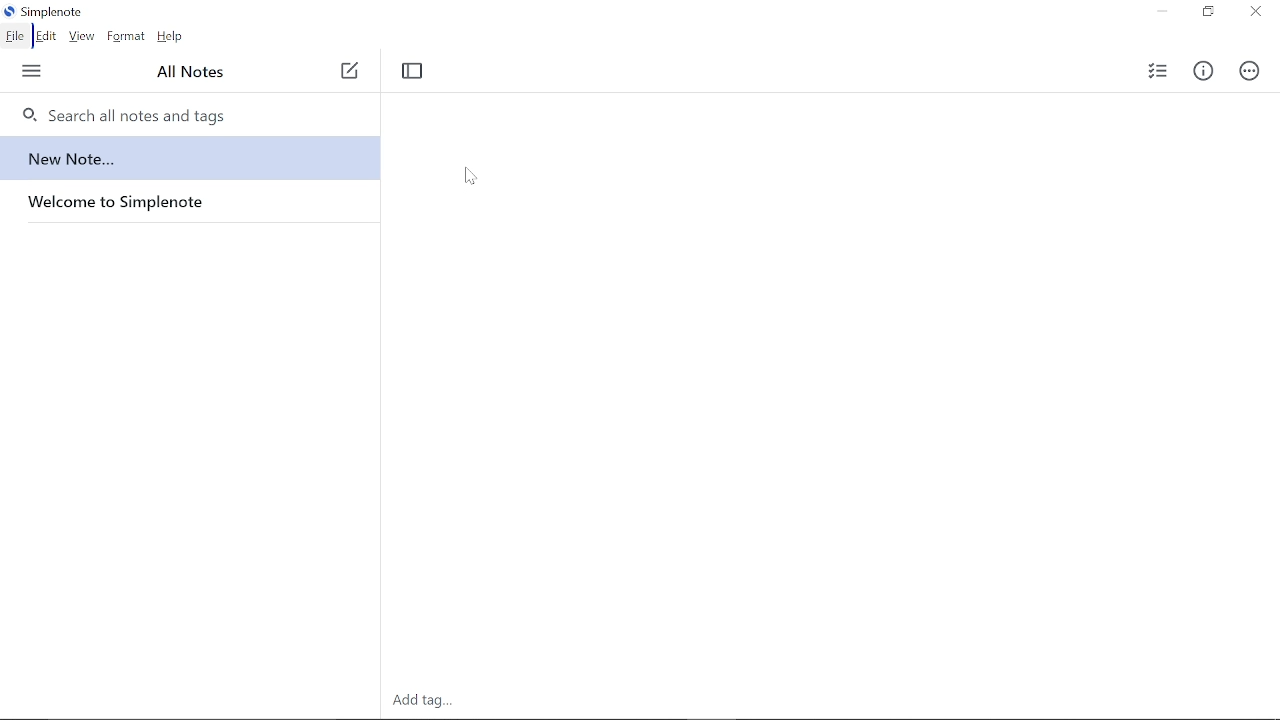  What do you see at coordinates (50, 37) in the screenshot?
I see `Edit` at bounding box center [50, 37].